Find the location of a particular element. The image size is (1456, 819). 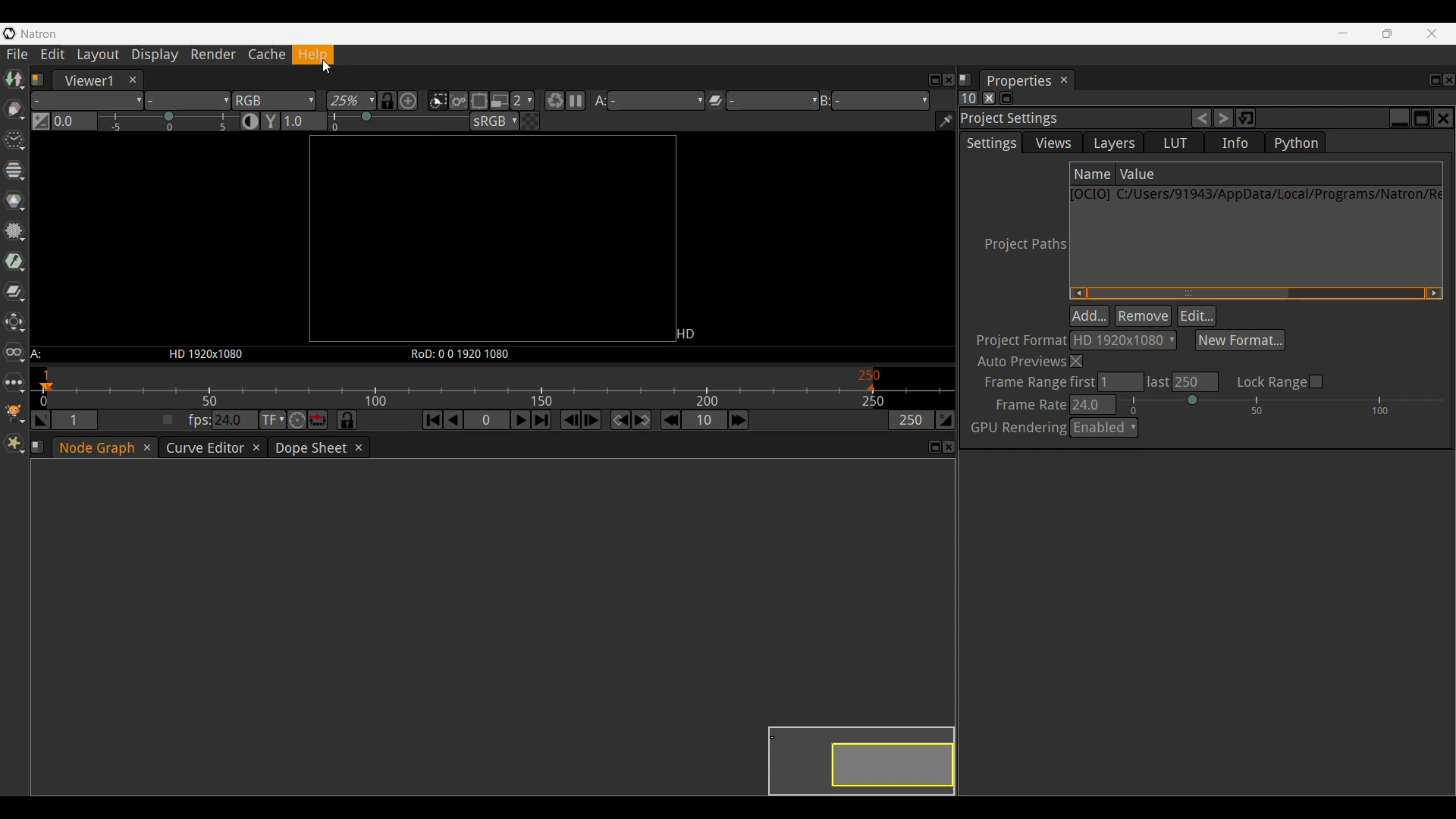

Float properties panel is located at coordinates (1436, 80).